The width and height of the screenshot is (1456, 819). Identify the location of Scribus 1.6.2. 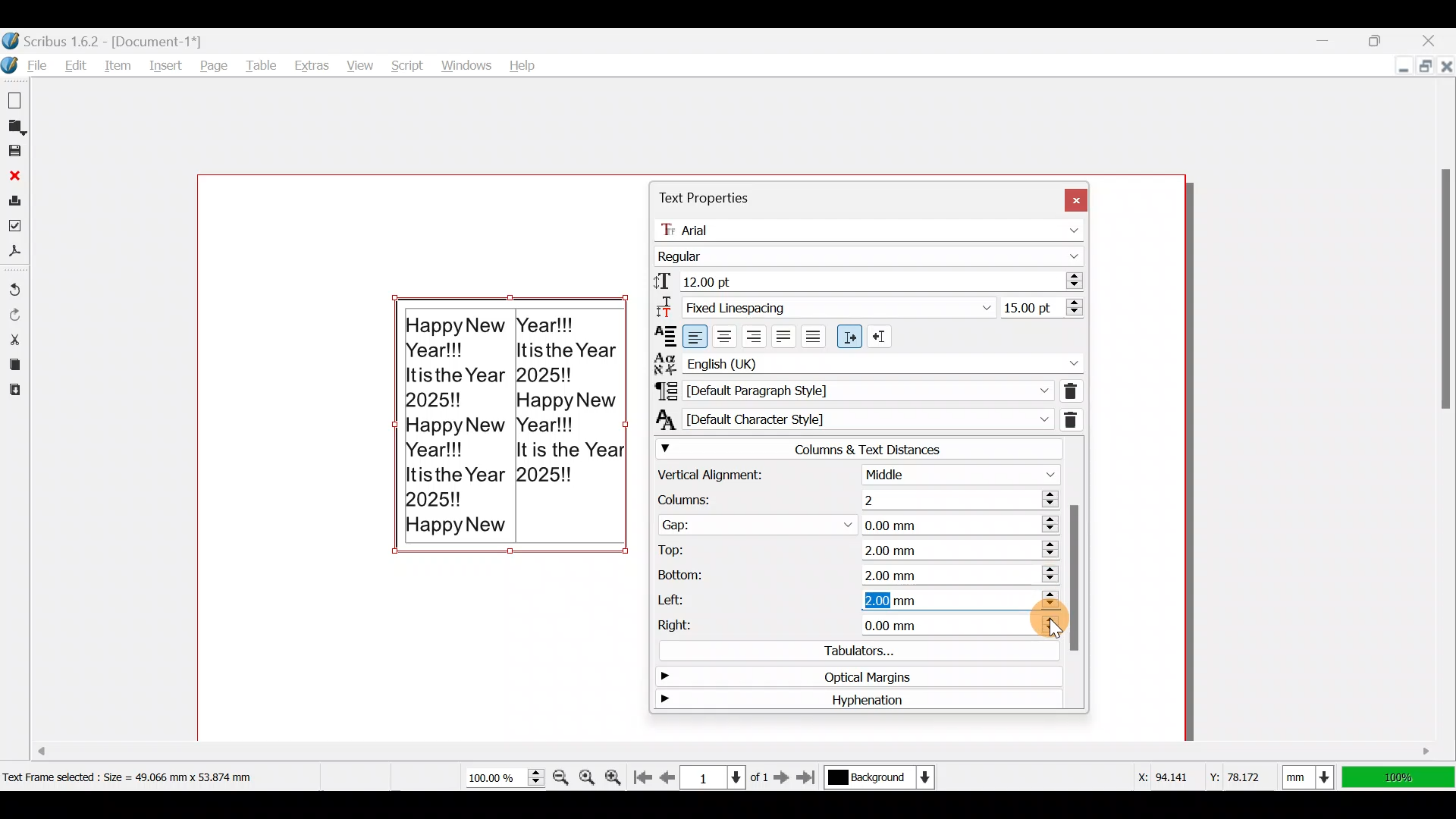
(105, 39).